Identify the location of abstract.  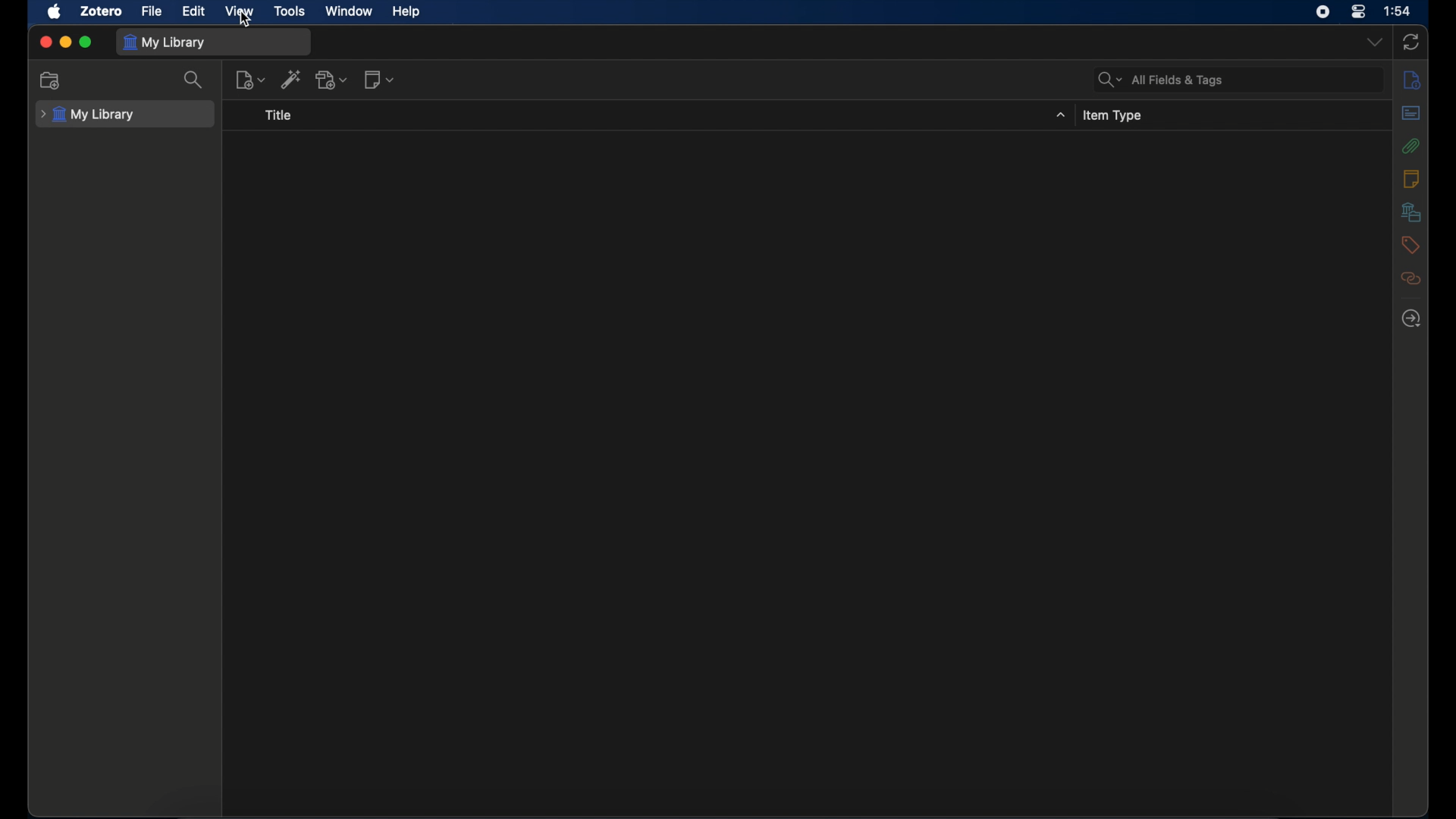
(1412, 114).